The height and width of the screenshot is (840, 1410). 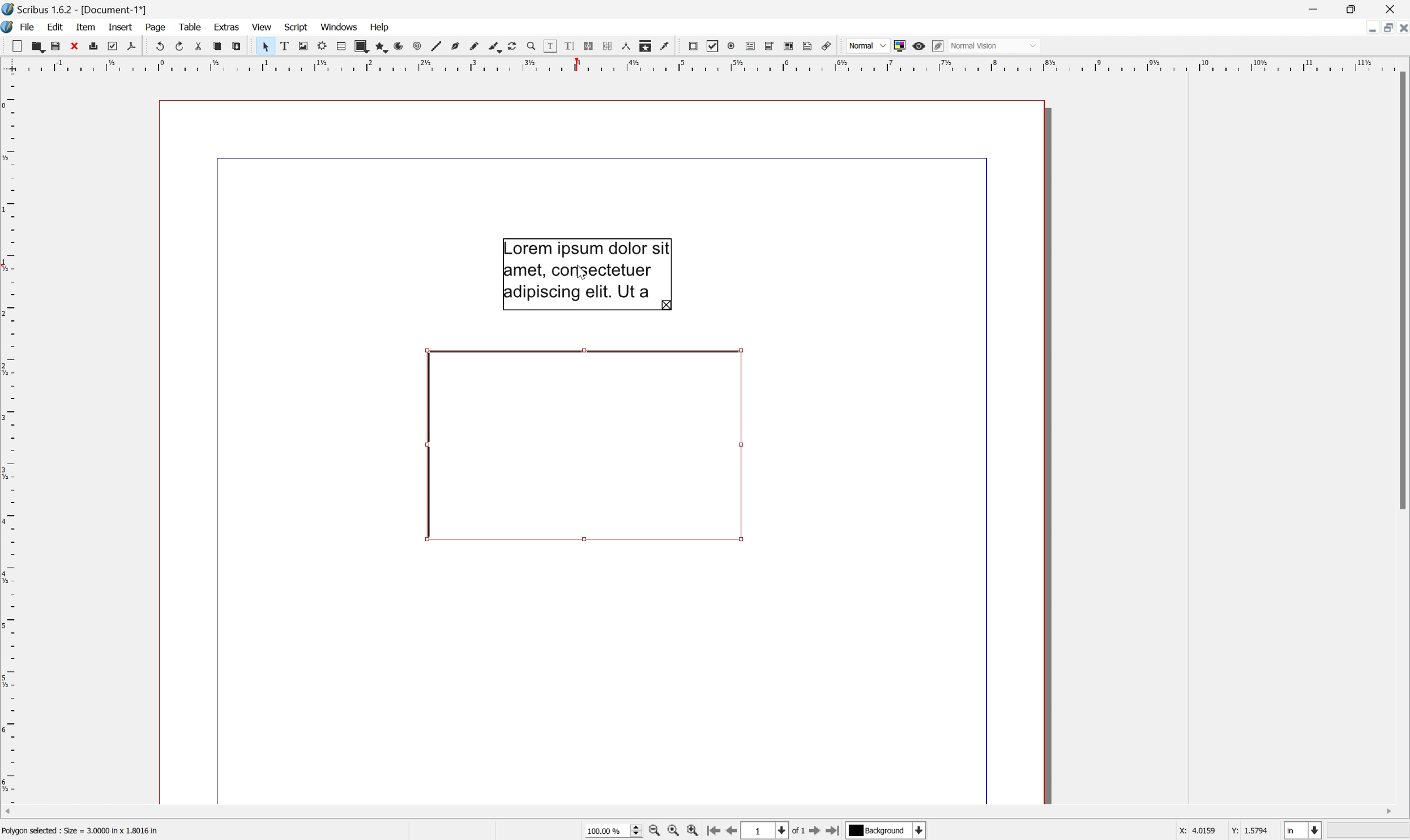 What do you see at coordinates (473, 48) in the screenshot?
I see `Freehand line` at bounding box center [473, 48].